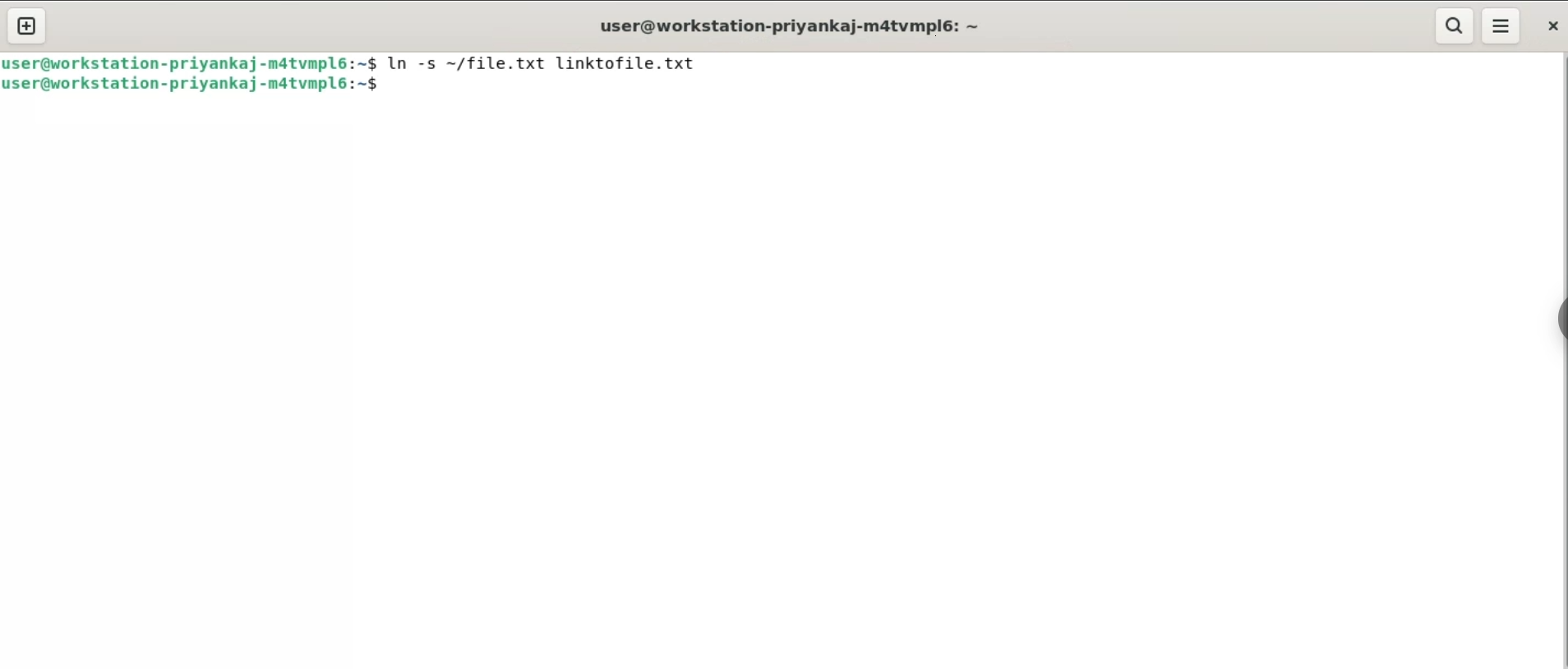 Image resolution: width=1568 pixels, height=669 pixels. Describe the element at coordinates (375, 87) in the screenshot. I see `$` at that location.